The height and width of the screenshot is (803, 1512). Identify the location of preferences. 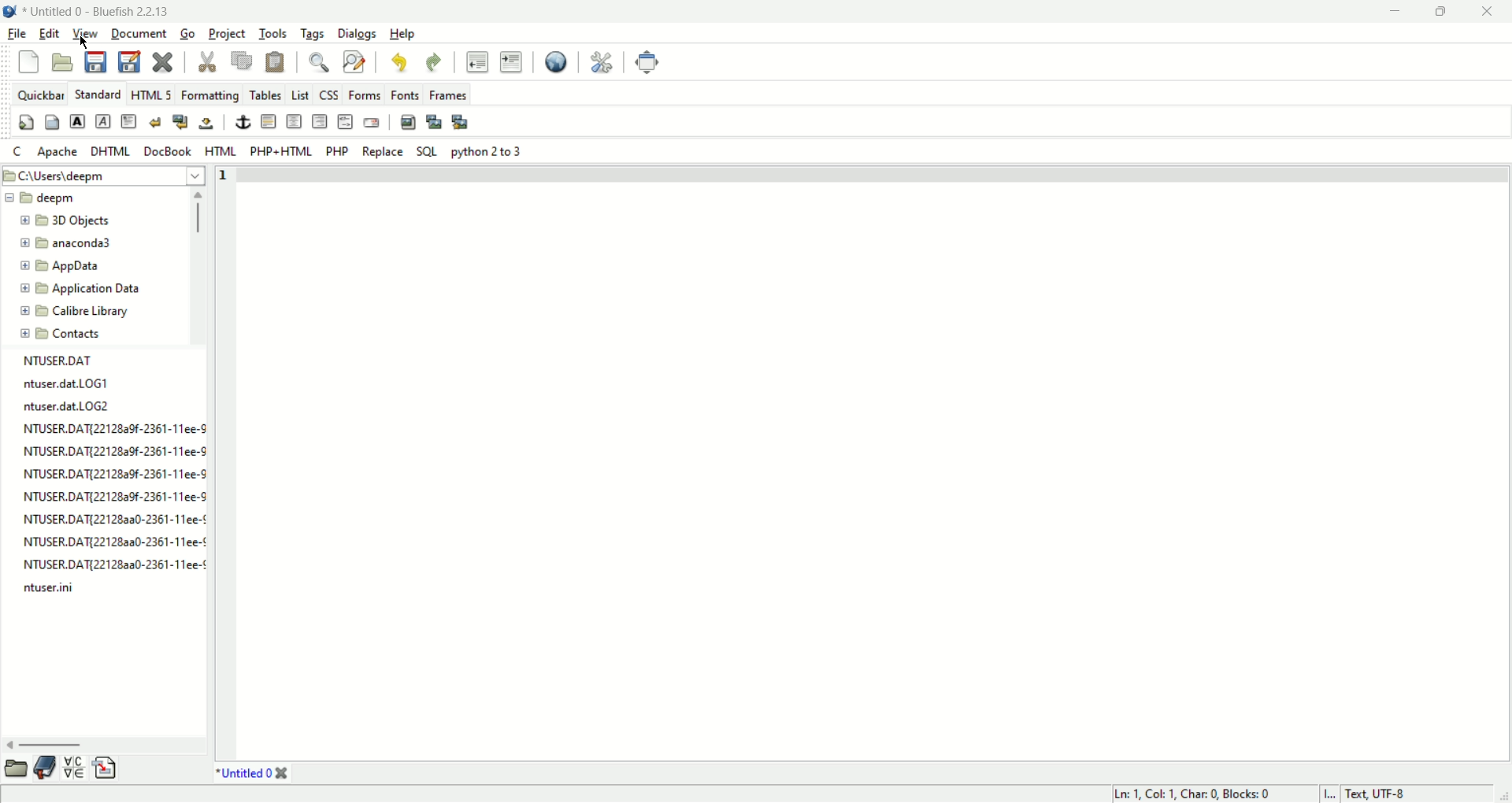
(601, 63).